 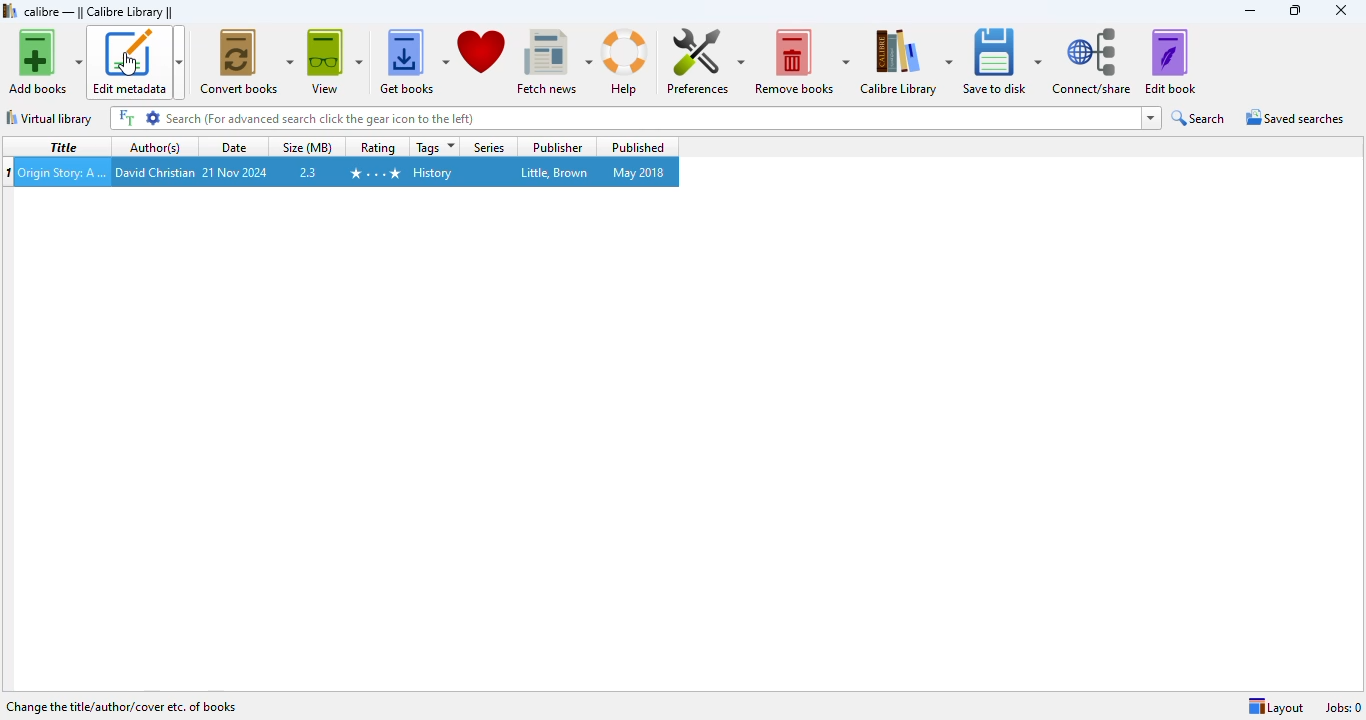 I want to click on date, so click(x=233, y=146).